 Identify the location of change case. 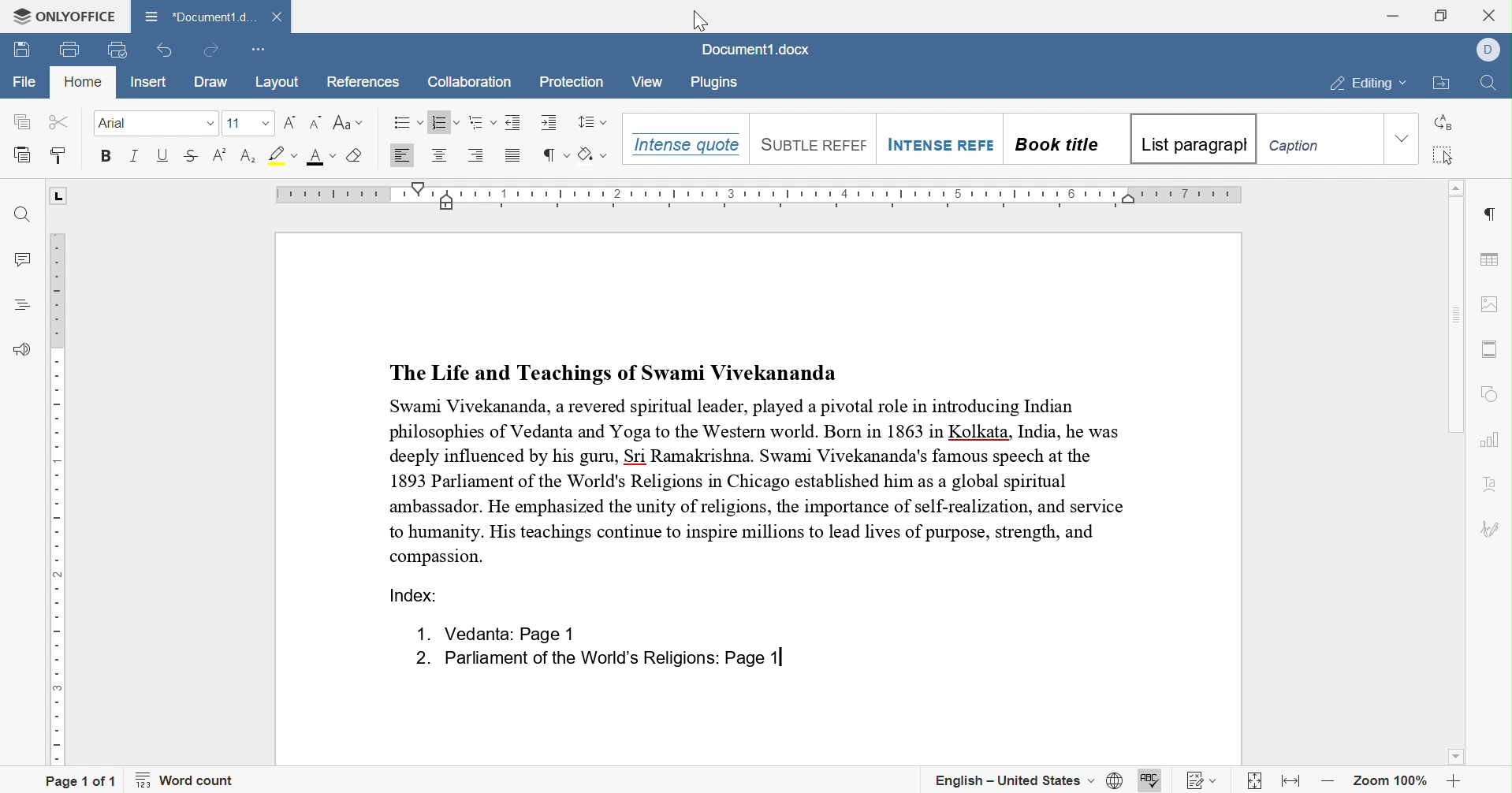
(348, 122).